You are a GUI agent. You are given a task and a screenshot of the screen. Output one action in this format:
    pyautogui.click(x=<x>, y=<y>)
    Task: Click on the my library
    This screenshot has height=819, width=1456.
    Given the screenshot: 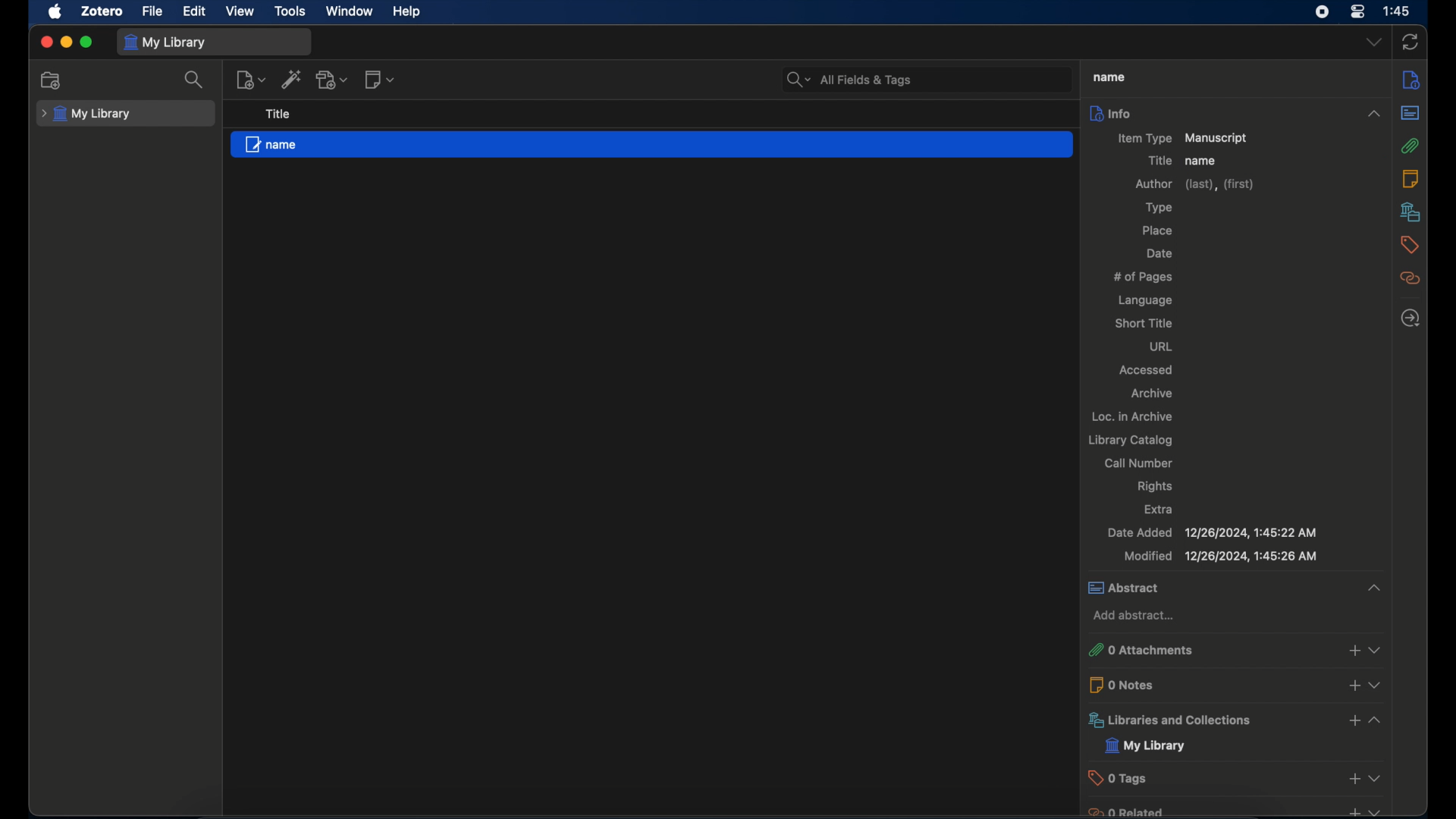 What is the action you would take?
    pyautogui.click(x=86, y=115)
    